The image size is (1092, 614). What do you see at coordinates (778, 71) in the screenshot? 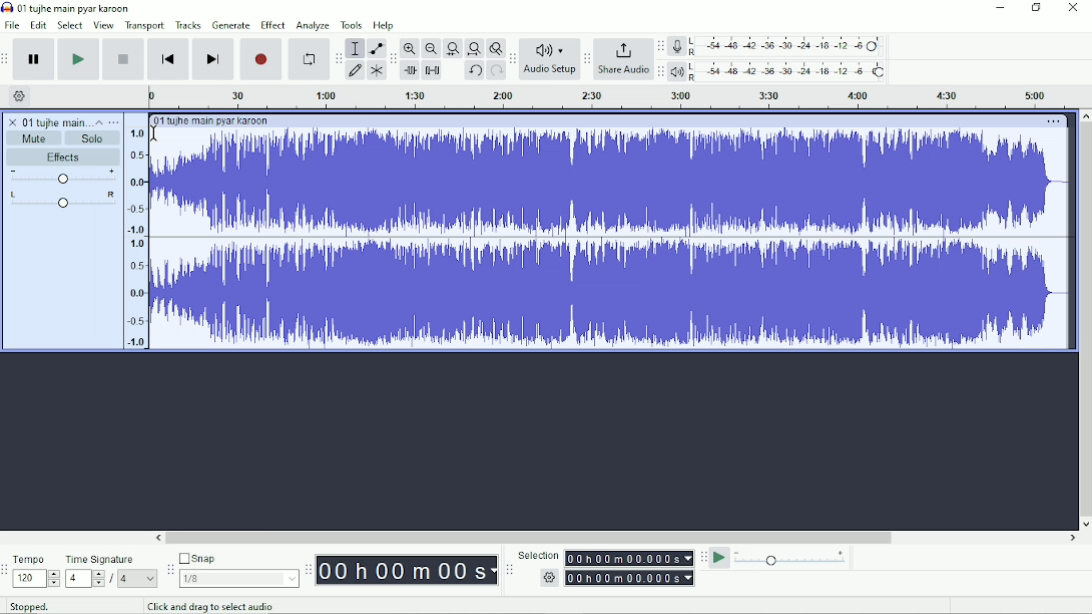
I see `Playback meter` at bounding box center [778, 71].